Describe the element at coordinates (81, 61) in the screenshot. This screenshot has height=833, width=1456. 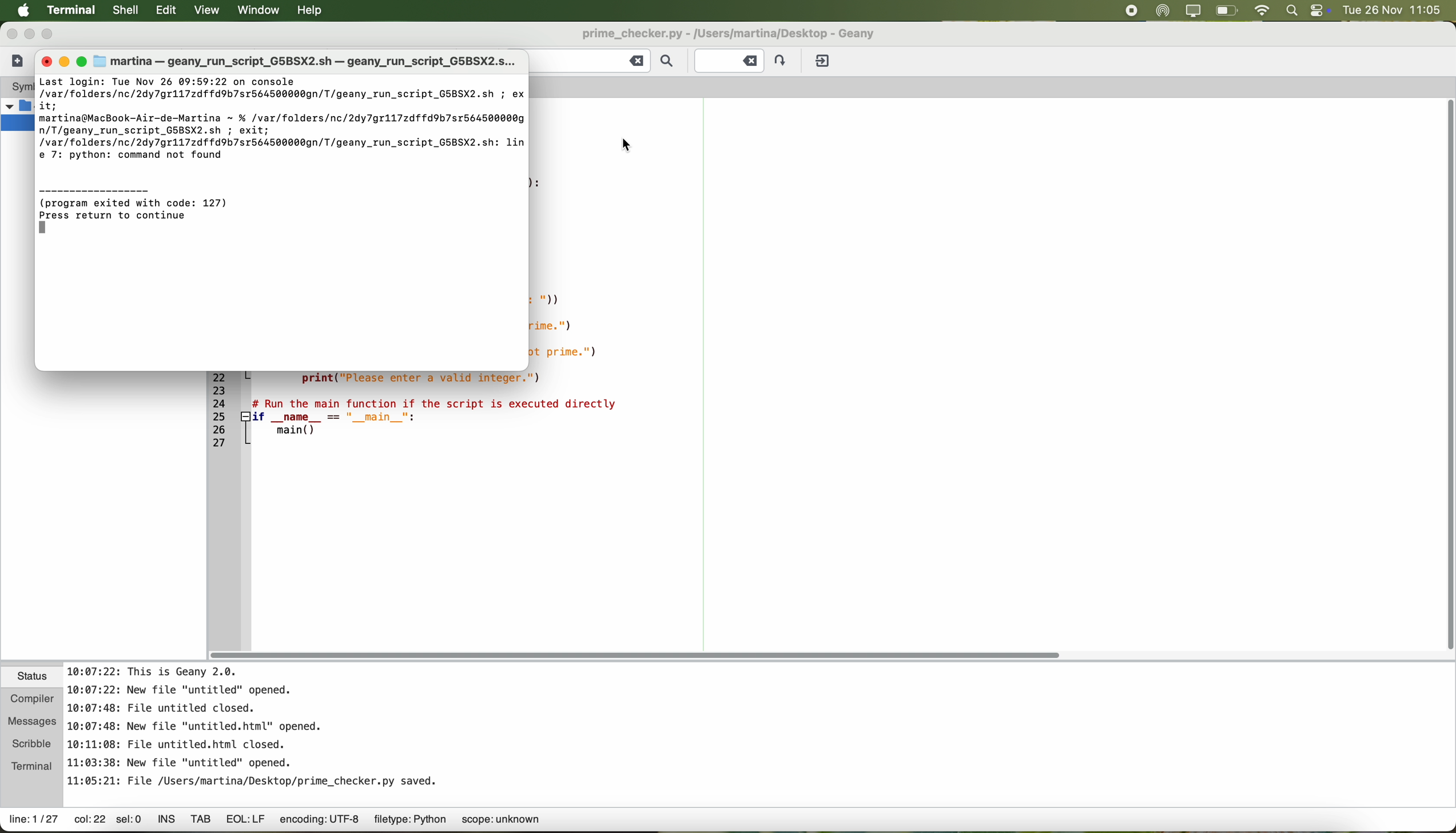
I see `maximize` at that location.